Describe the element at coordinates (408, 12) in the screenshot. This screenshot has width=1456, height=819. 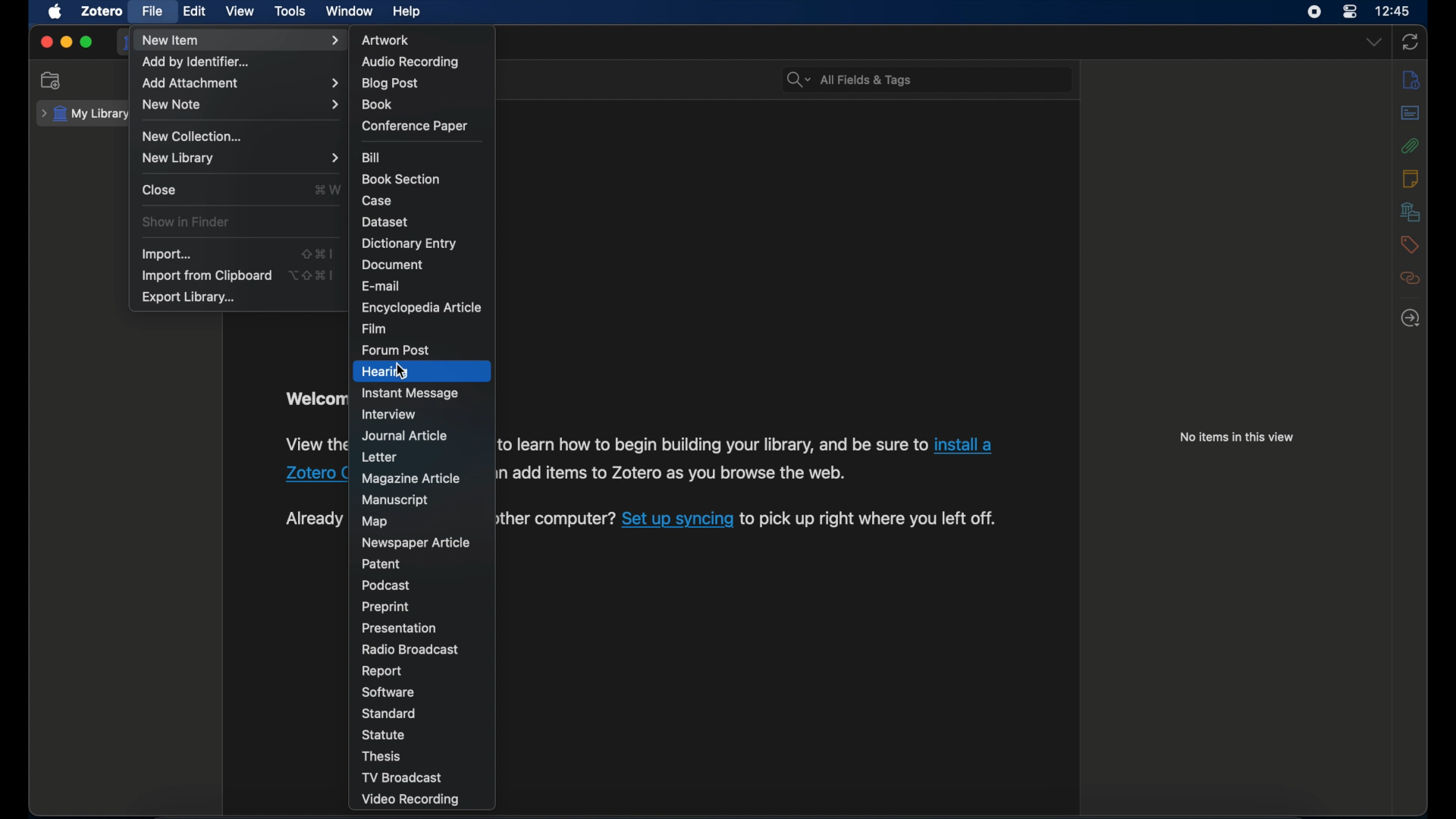
I see `help` at that location.